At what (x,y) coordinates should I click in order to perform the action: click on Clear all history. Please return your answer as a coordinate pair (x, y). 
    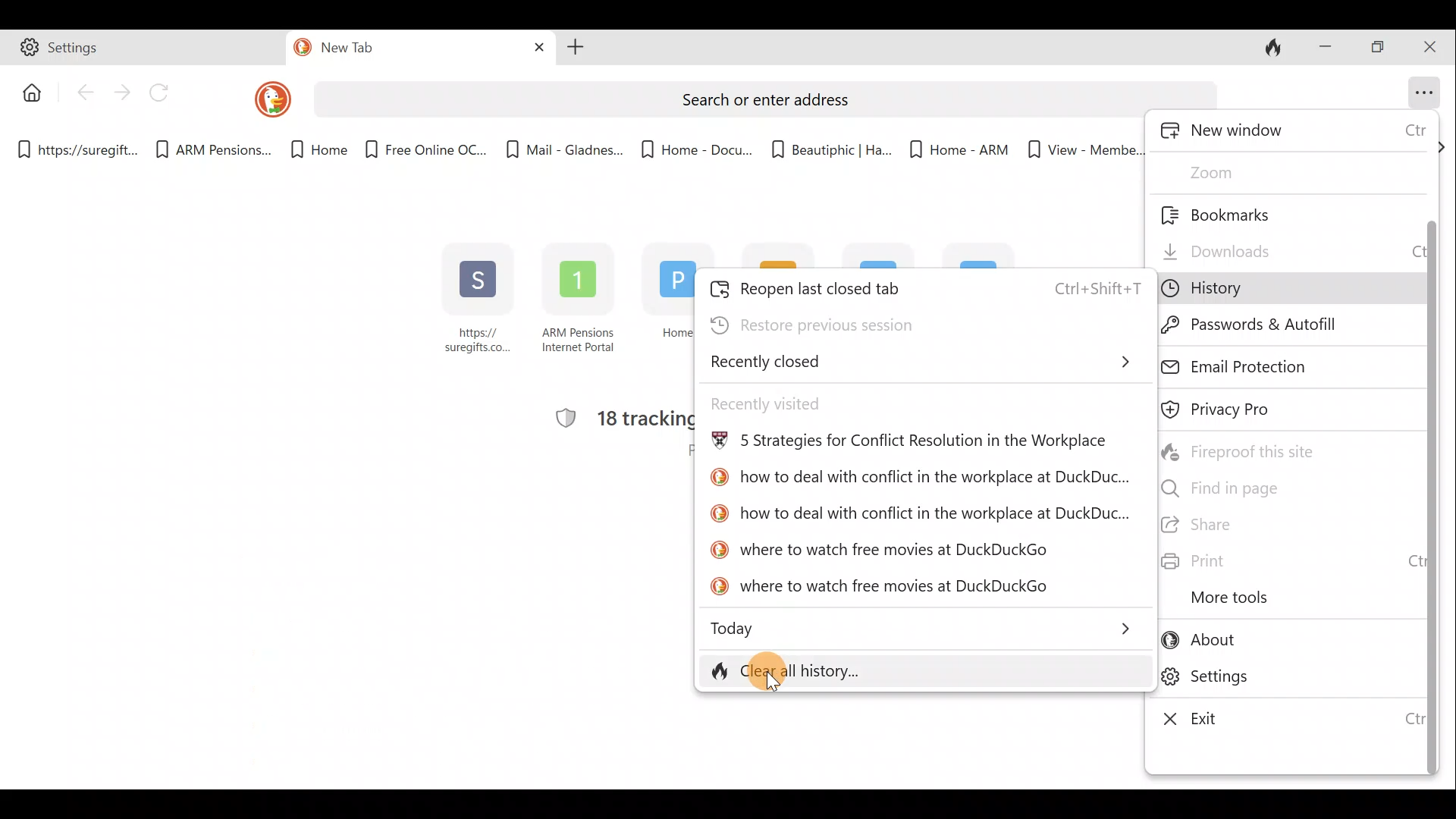
    Looking at the image, I should click on (855, 670).